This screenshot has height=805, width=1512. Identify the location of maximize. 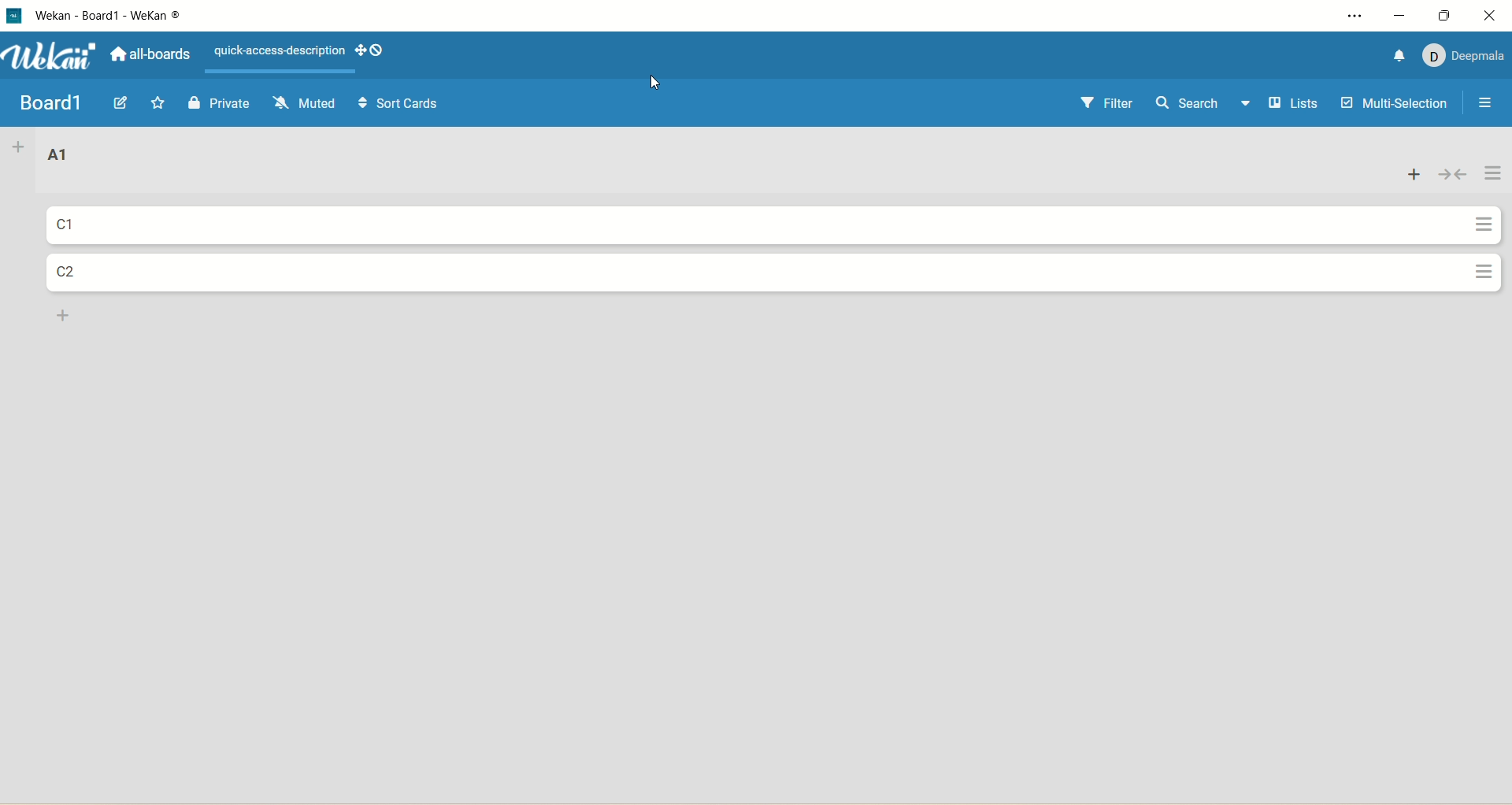
(1445, 13).